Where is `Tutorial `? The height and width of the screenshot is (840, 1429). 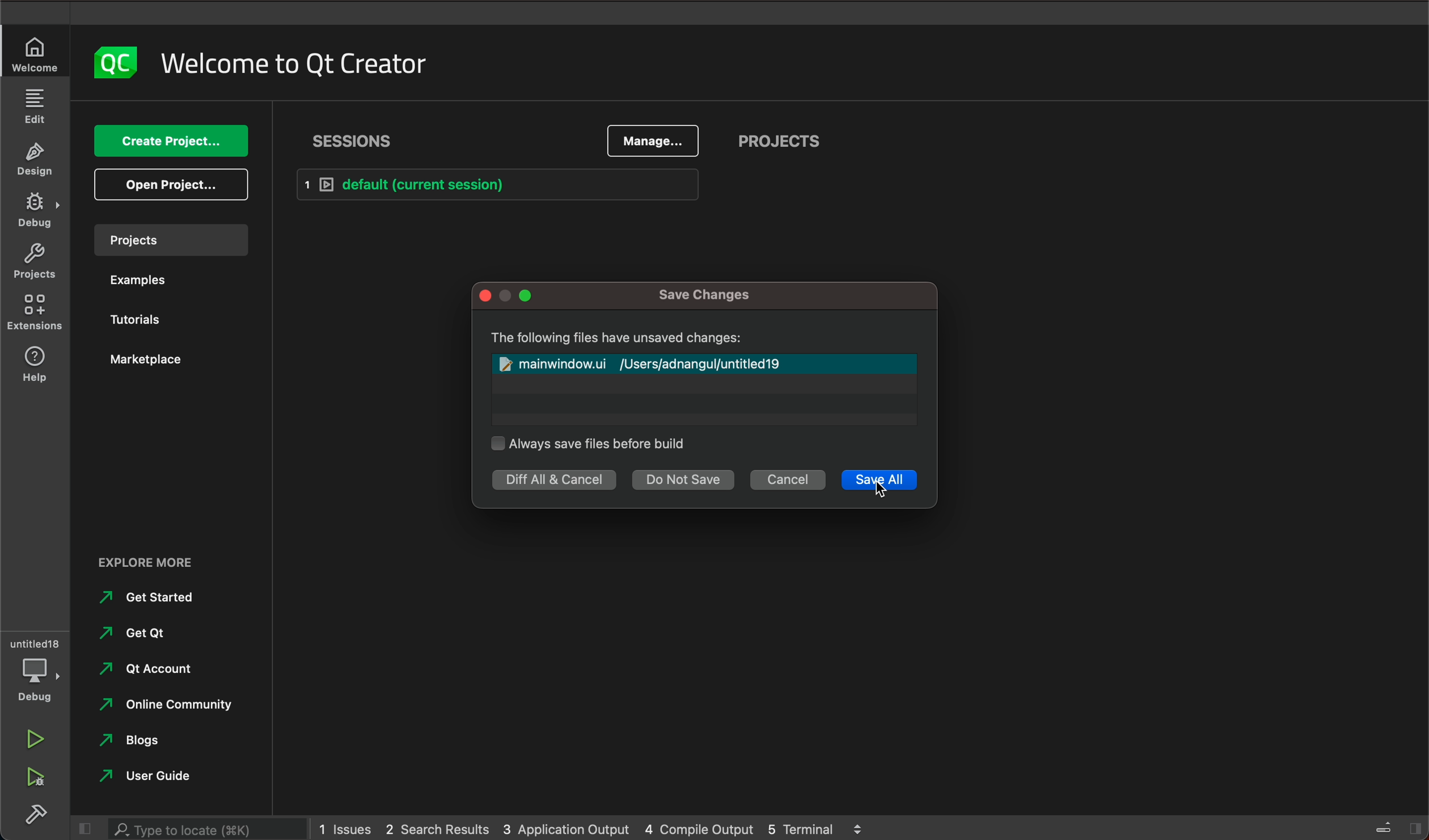 Tutorial  is located at coordinates (164, 315).